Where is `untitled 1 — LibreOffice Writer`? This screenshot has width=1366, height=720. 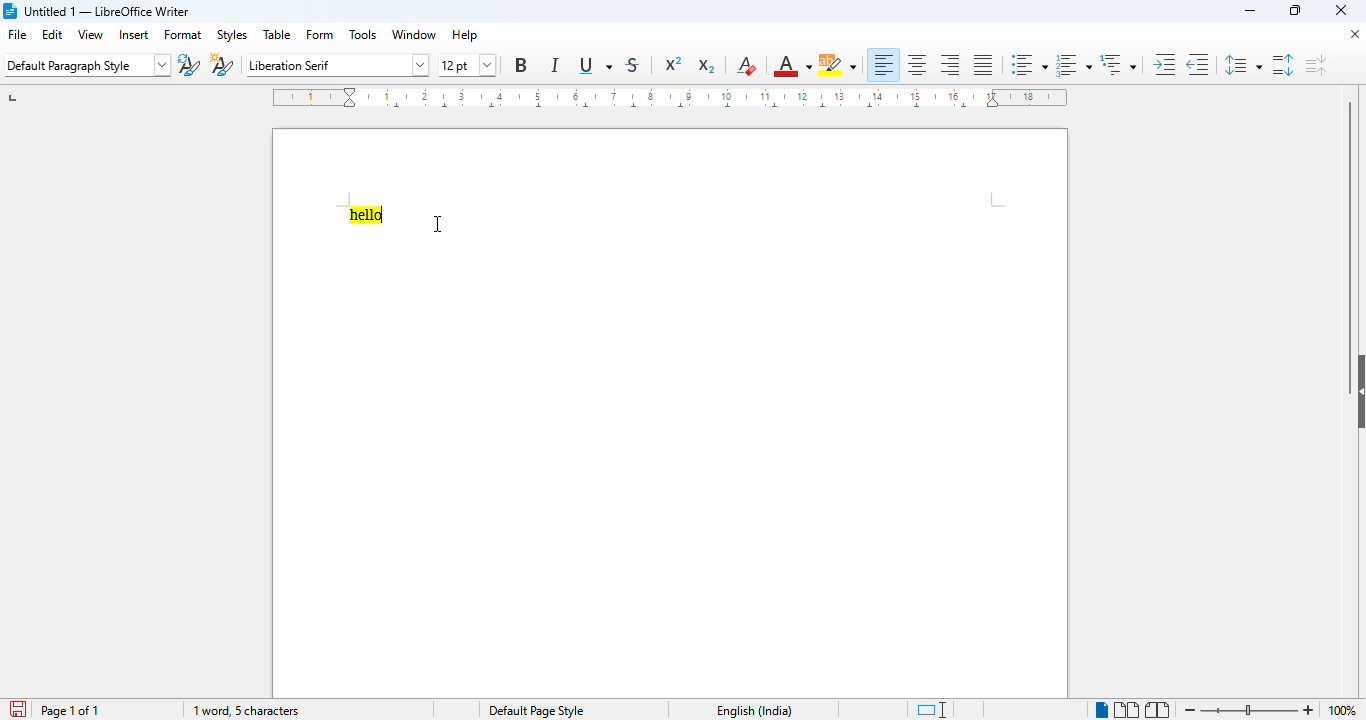 untitled 1 — LibreOffice Writer is located at coordinates (110, 12).